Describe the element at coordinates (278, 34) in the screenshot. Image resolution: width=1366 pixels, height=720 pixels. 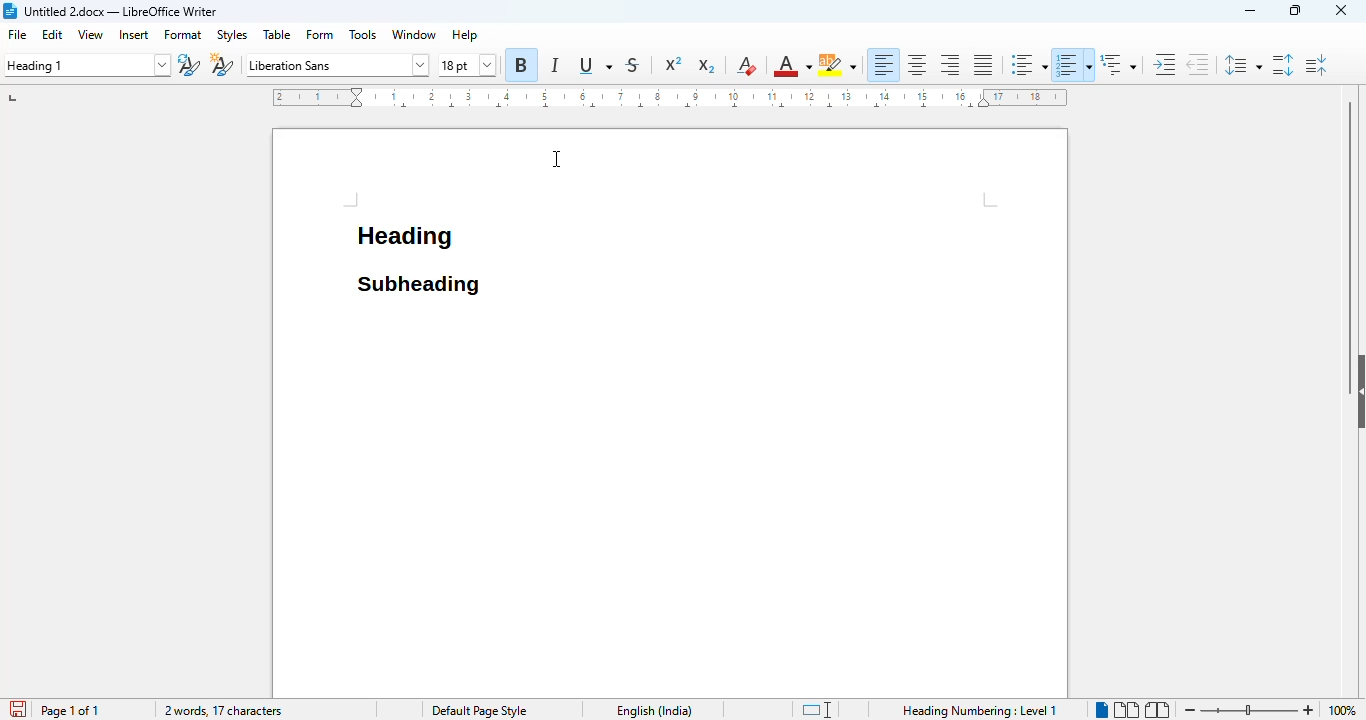
I see `table` at that location.